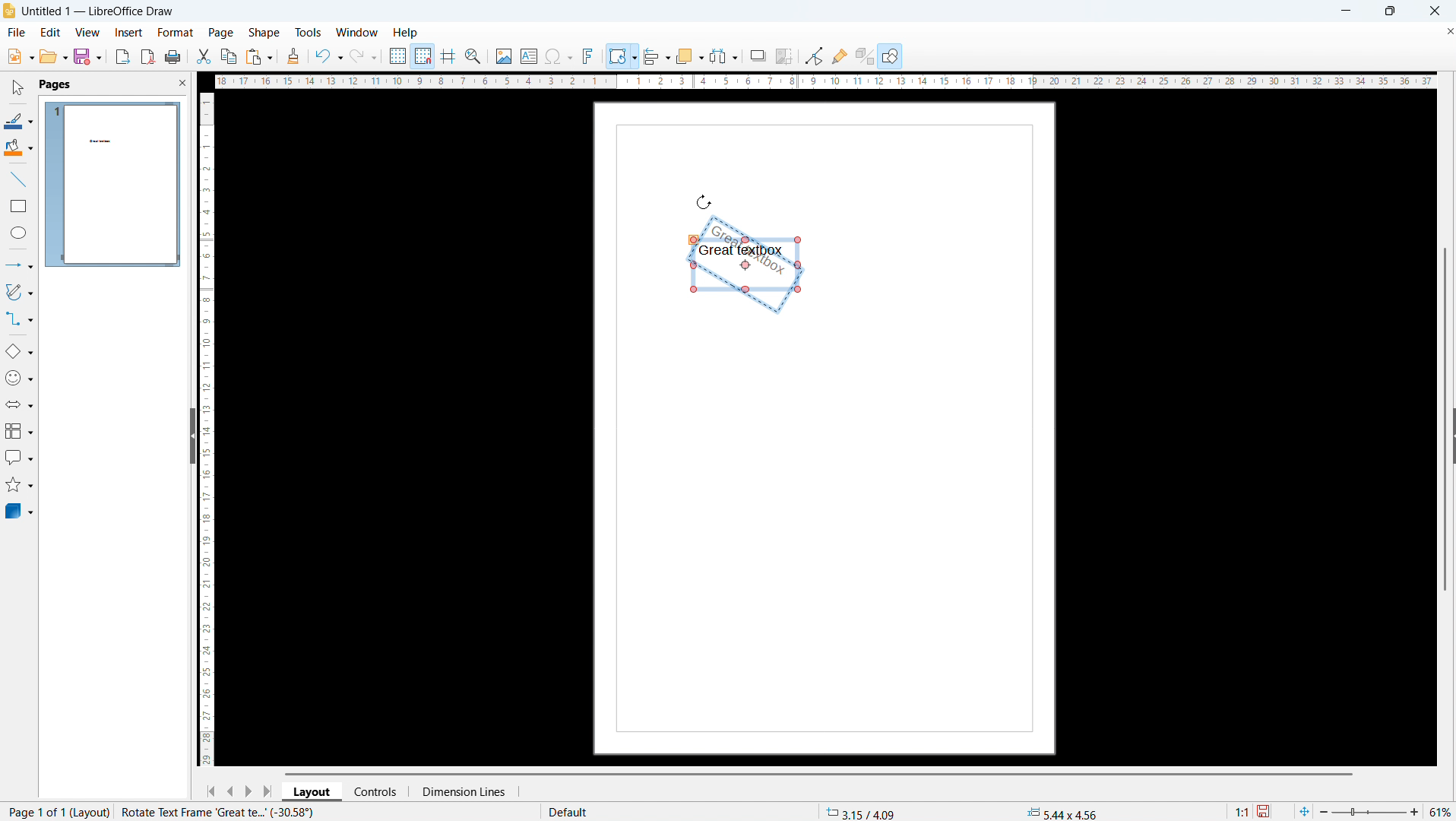 The image size is (1456, 821). Describe the element at coordinates (724, 55) in the screenshot. I see `select at least 3 objects to distribute` at that location.